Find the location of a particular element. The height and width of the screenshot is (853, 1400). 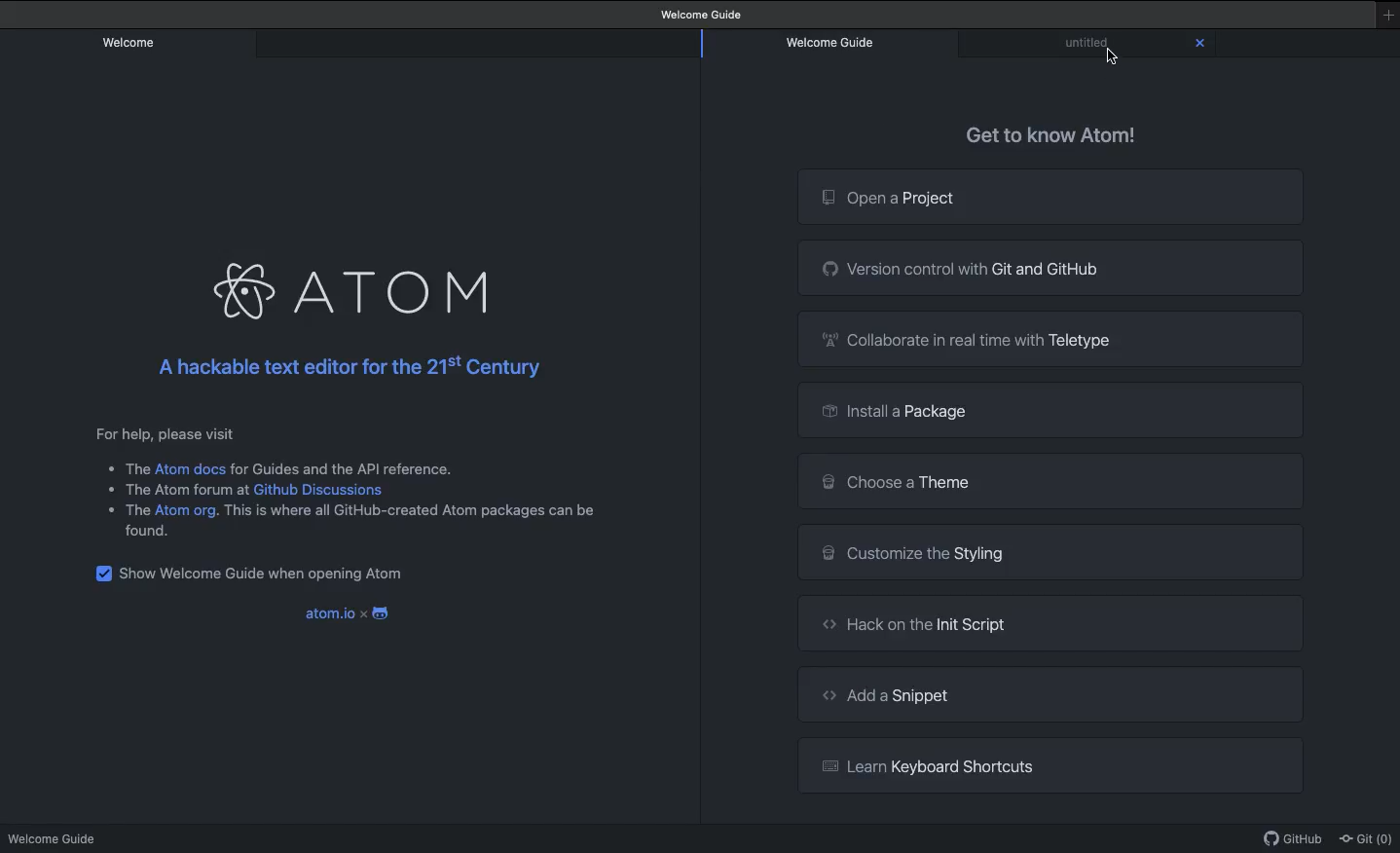

Install a package is located at coordinates (1049, 409).